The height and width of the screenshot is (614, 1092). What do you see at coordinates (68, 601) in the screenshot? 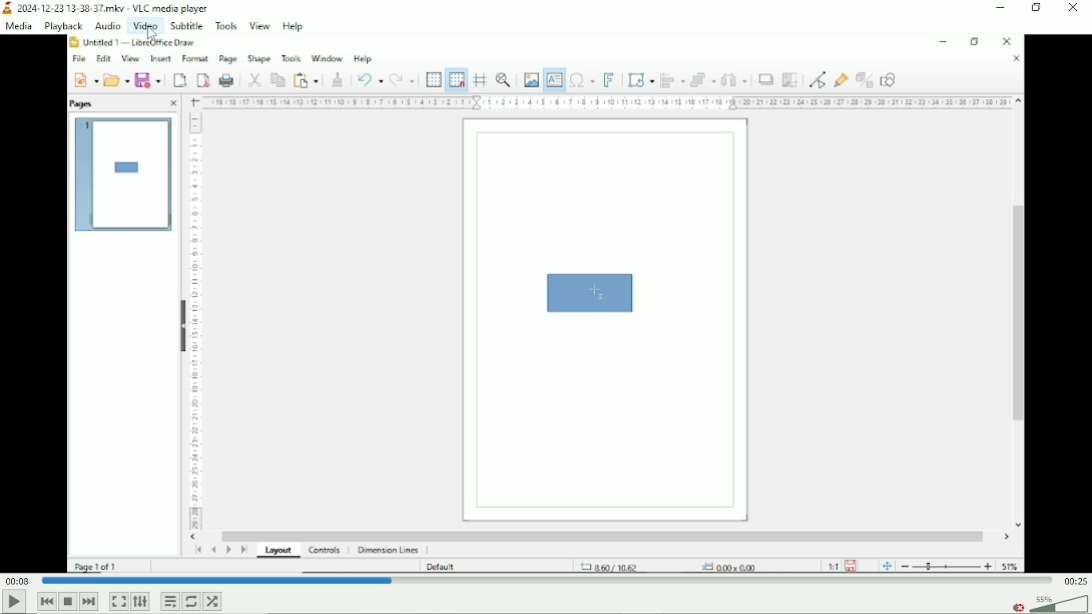
I see `Stop playlist` at bounding box center [68, 601].